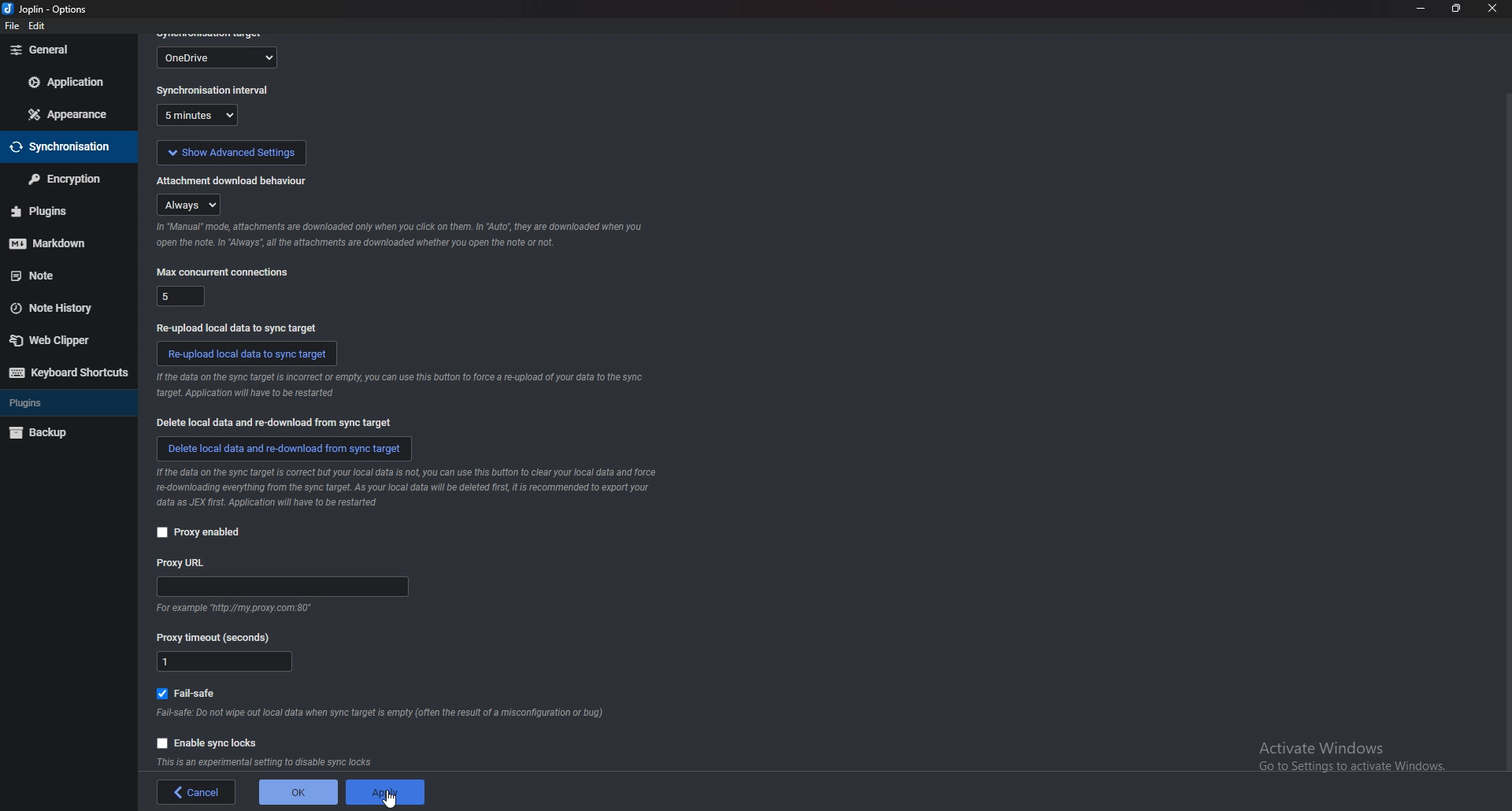 This screenshot has height=811, width=1512. What do you see at coordinates (57, 245) in the screenshot?
I see `markdown` at bounding box center [57, 245].